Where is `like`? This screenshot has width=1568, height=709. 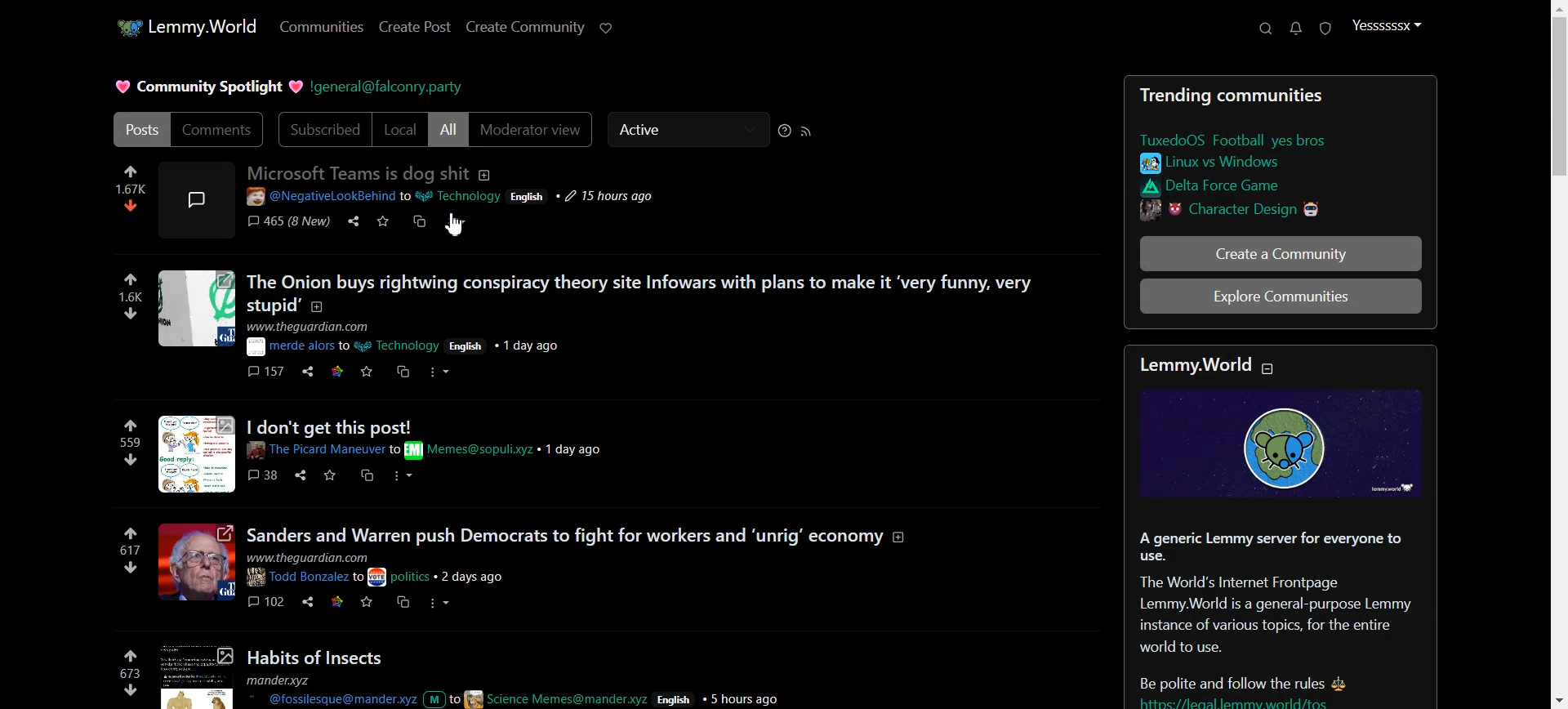
like is located at coordinates (127, 655).